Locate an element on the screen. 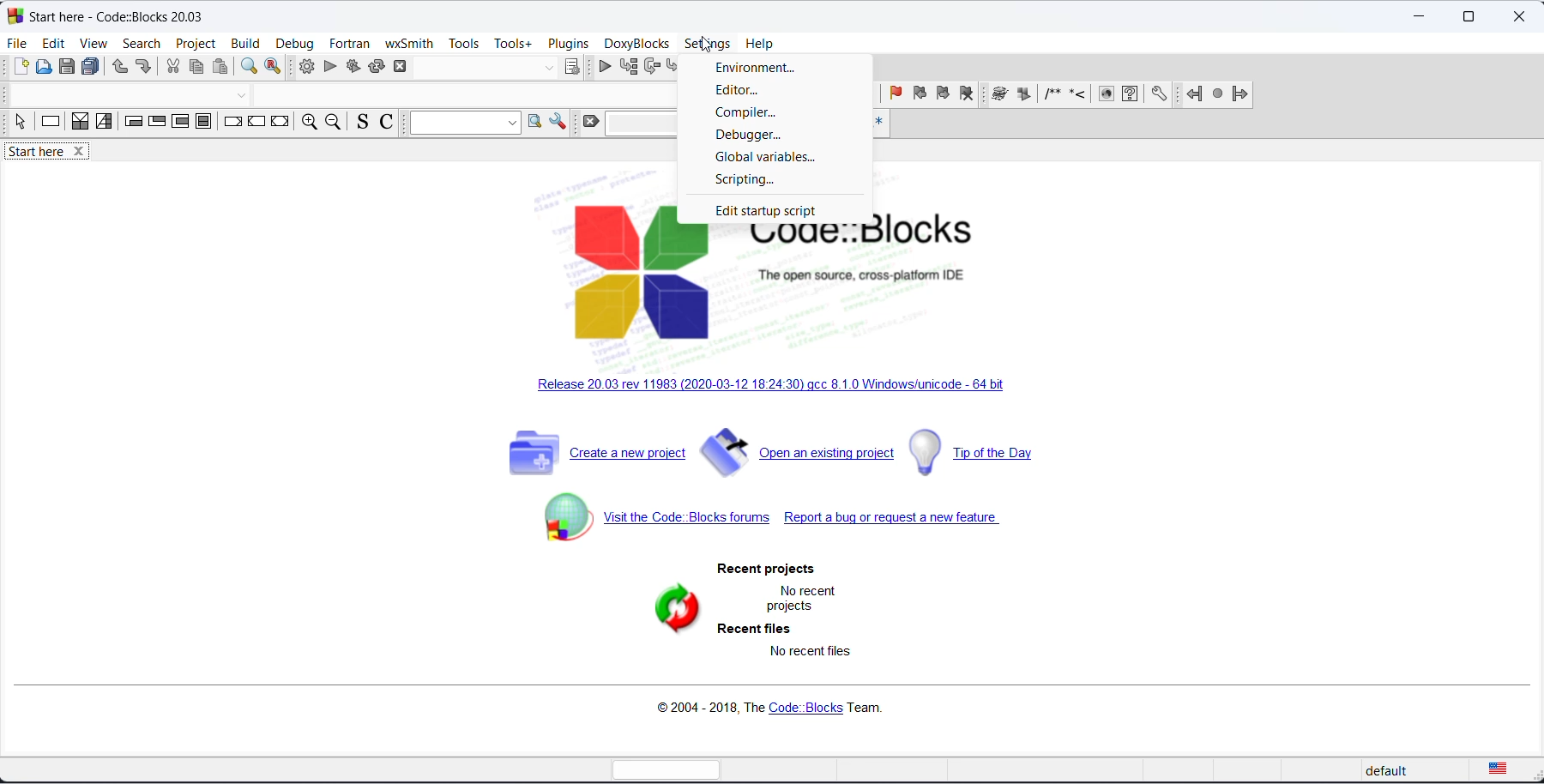 The image size is (1544, 784). next bookmark is located at coordinates (943, 93).